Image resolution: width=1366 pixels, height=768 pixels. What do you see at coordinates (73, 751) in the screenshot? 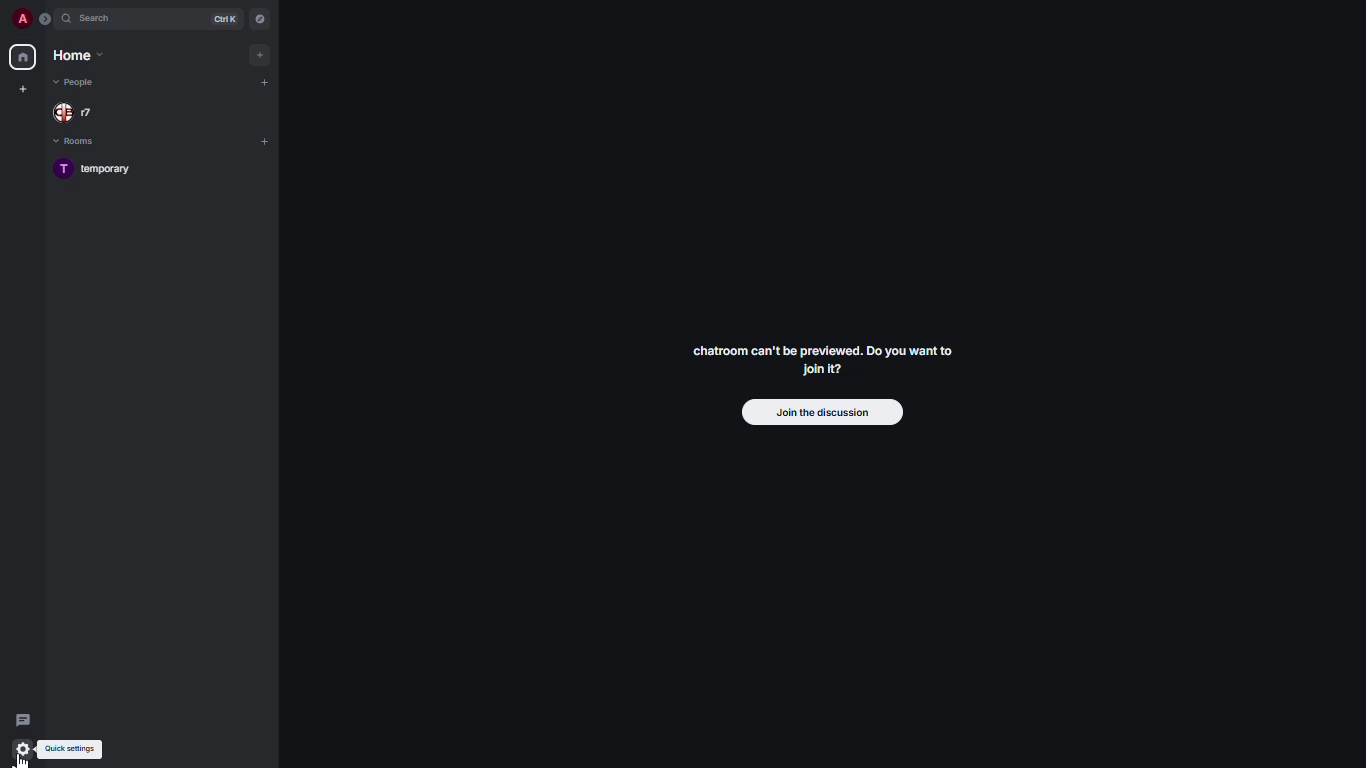
I see `quick settings` at bounding box center [73, 751].